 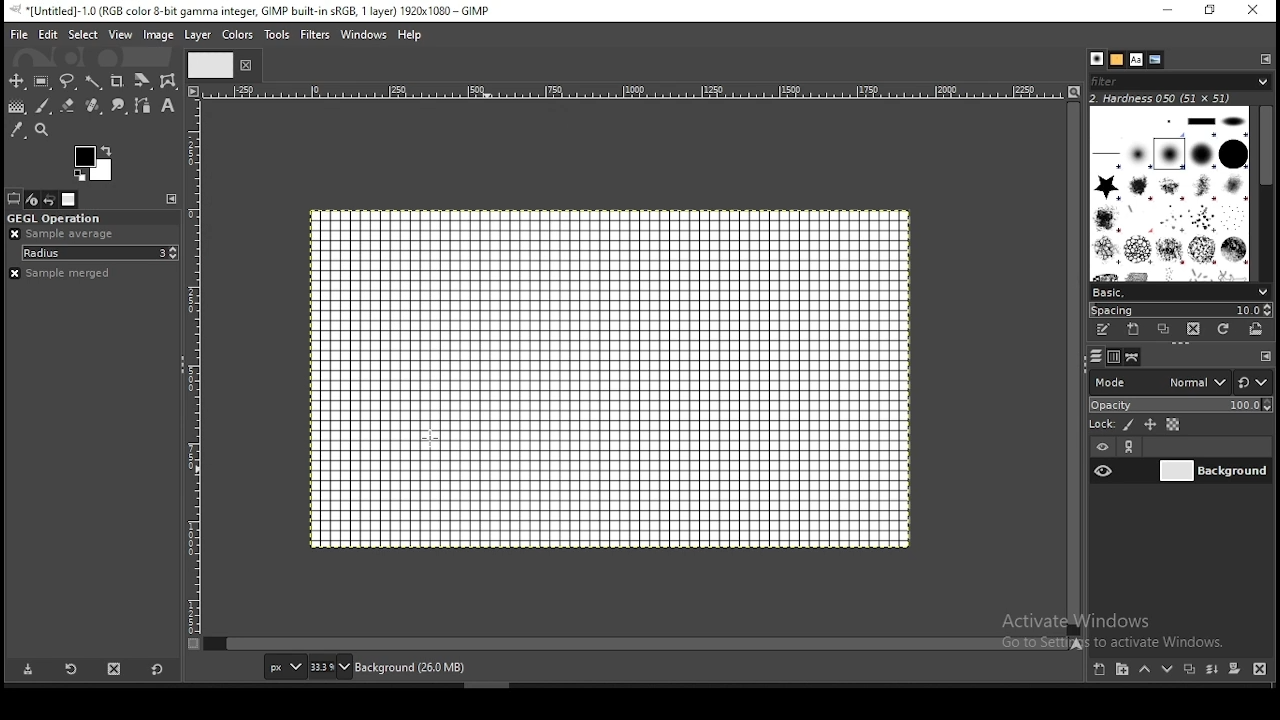 I want to click on images, so click(x=70, y=200).